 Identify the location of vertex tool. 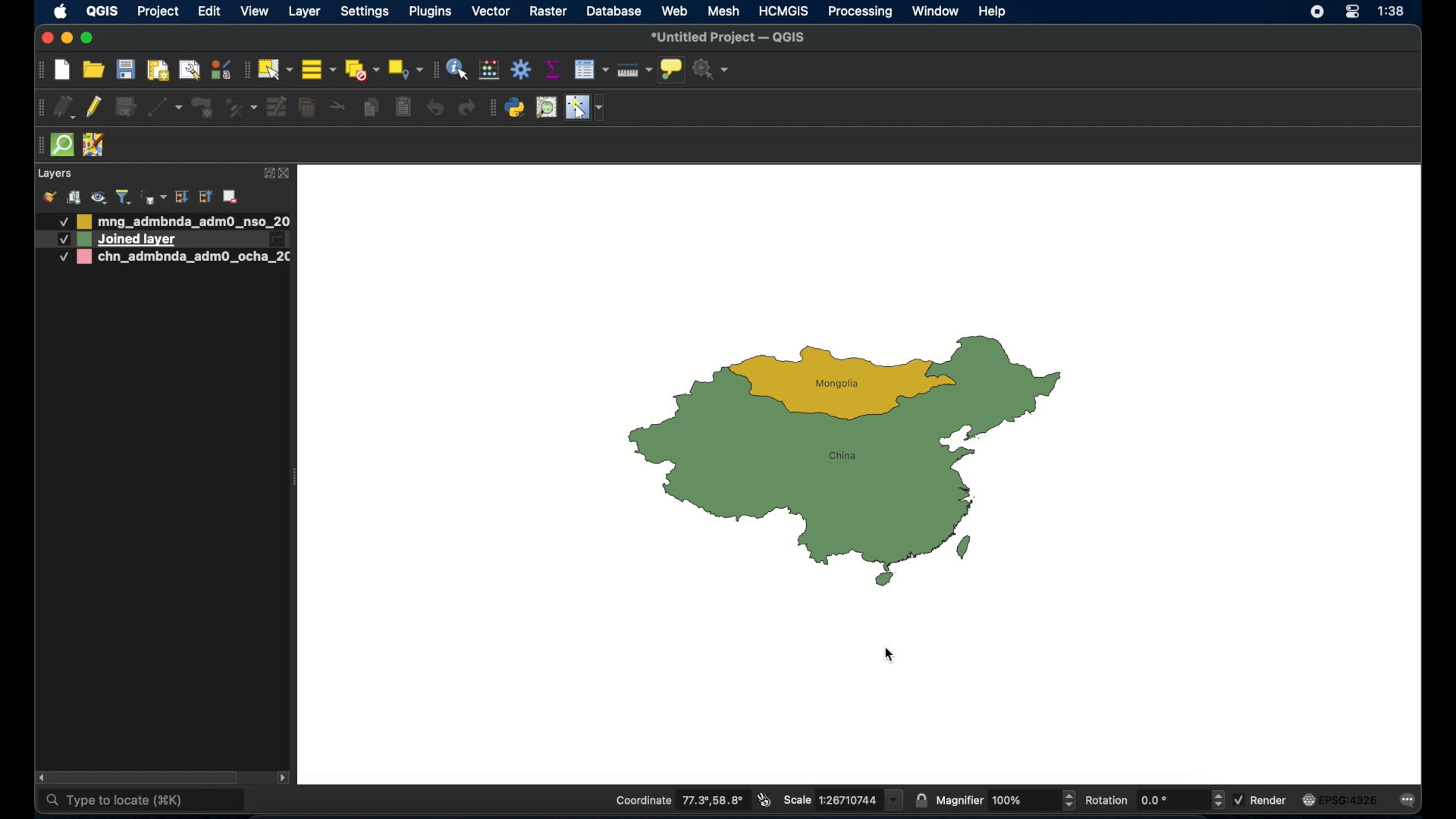
(240, 108).